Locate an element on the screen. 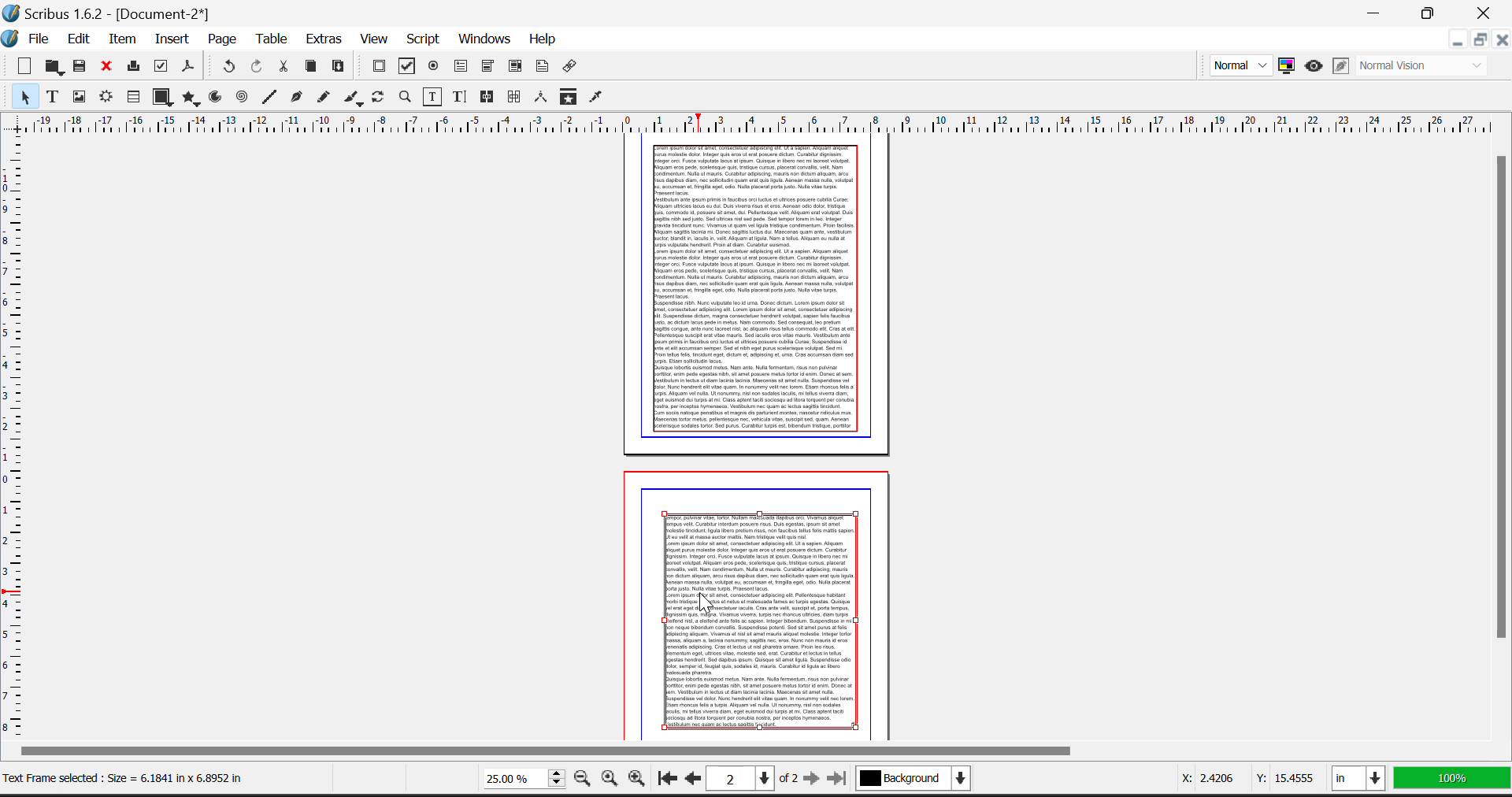  Arcs is located at coordinates (216, 98).